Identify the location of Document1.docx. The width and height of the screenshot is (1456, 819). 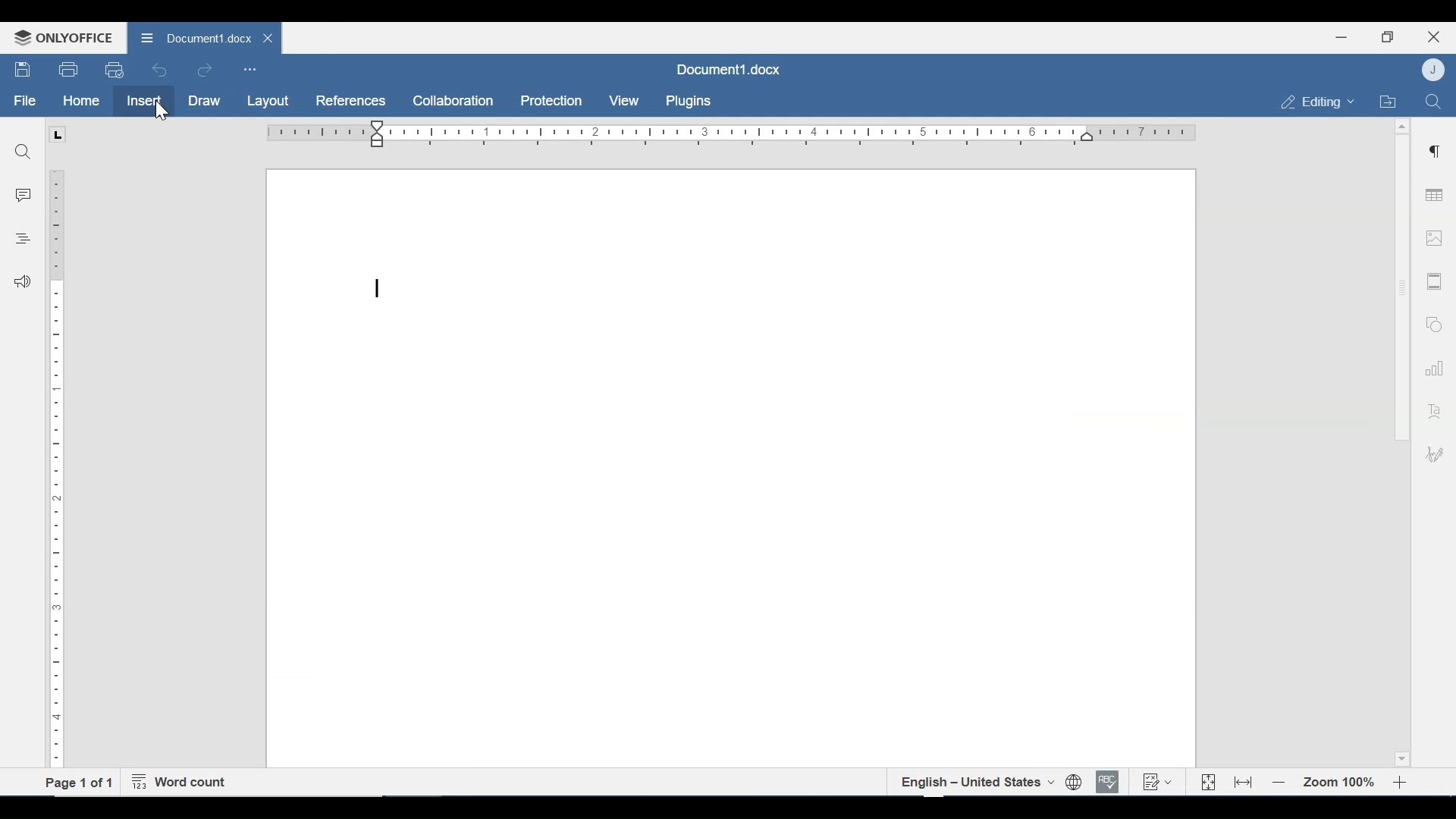
(193, 36).